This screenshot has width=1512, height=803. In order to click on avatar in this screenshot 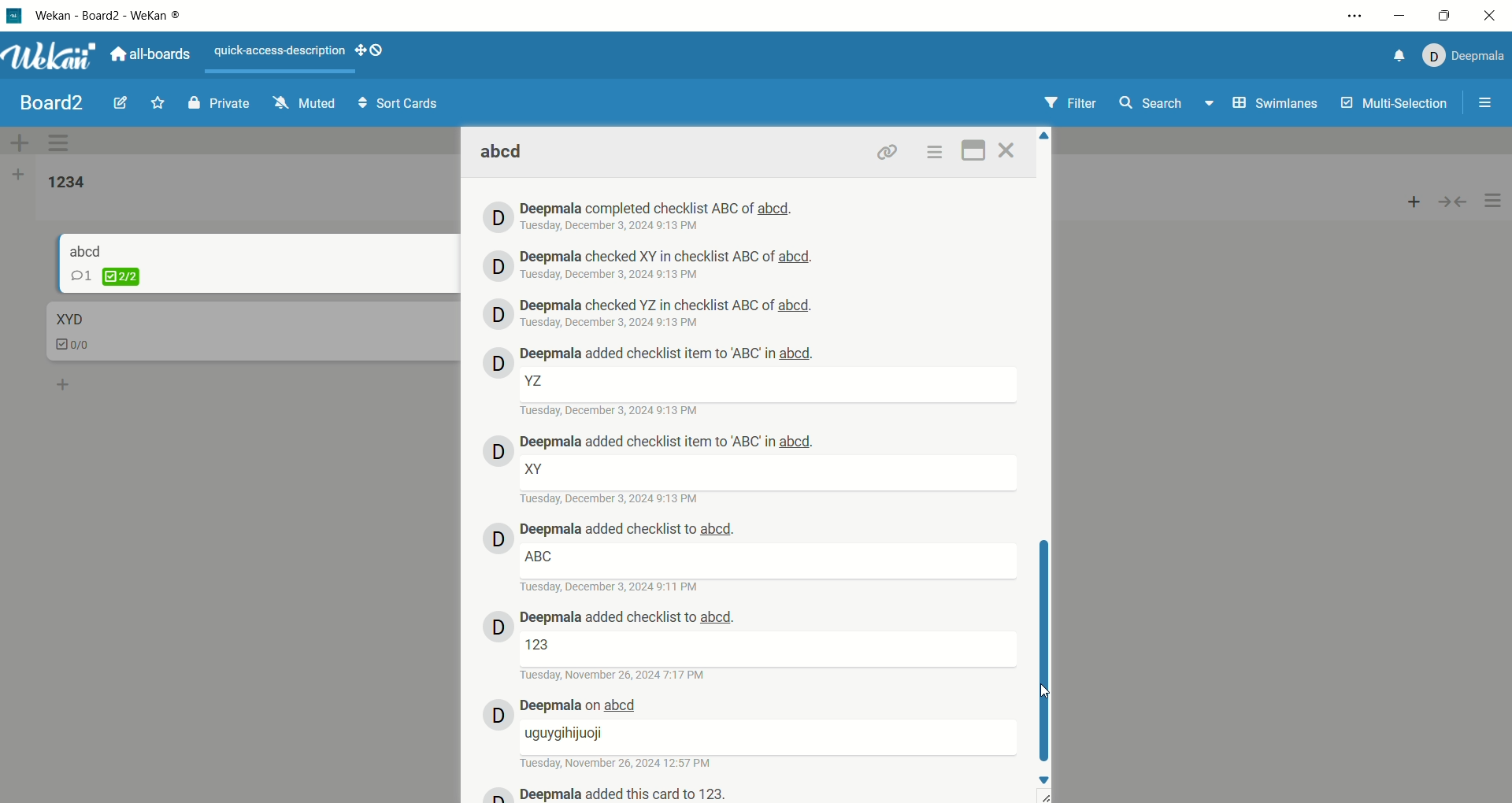, I will do `click(498, 216)`.